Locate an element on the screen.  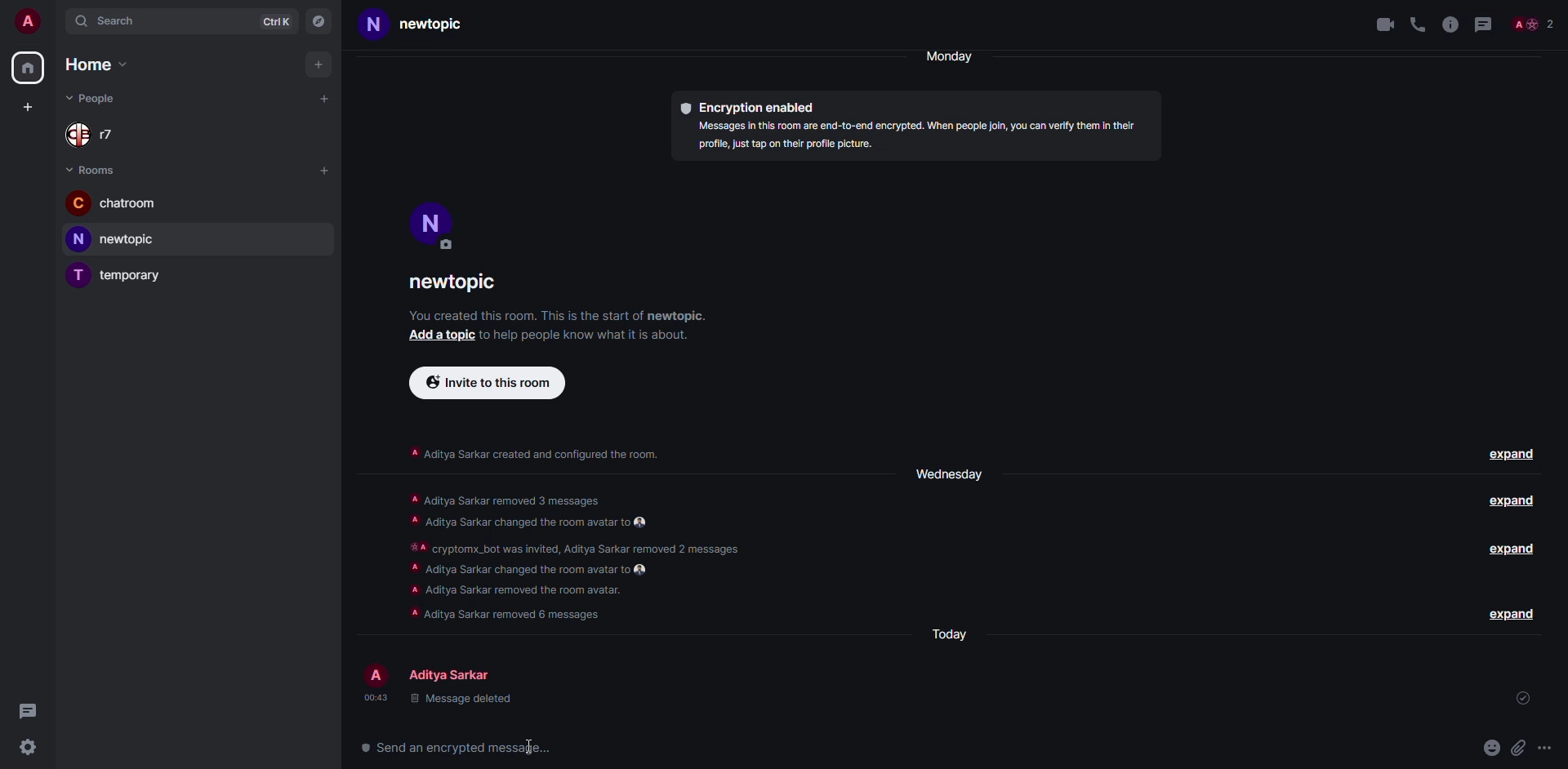
info is located at coordinates (534, 451).